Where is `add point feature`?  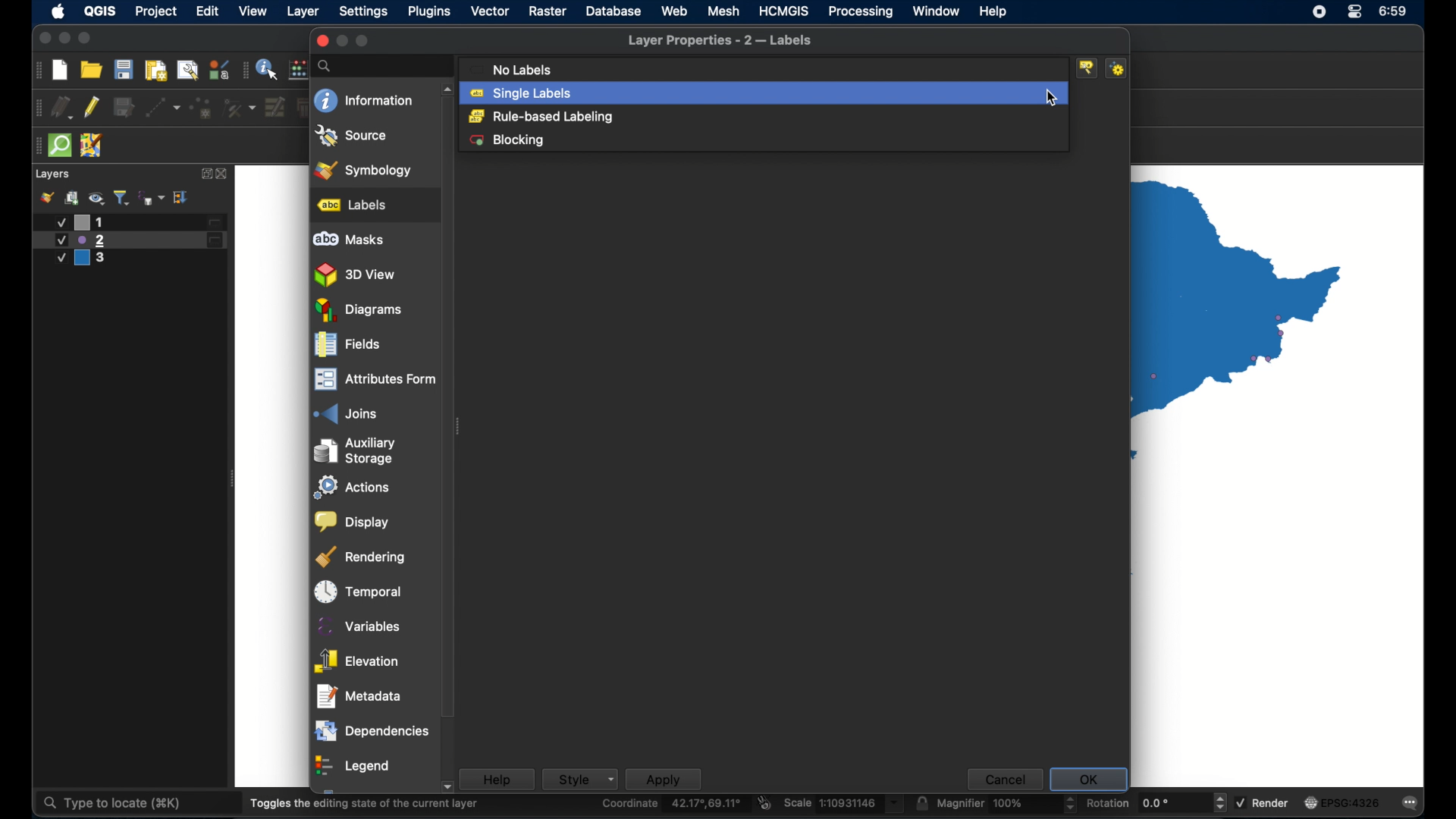
add point feature is located at coordinates (202, 108).